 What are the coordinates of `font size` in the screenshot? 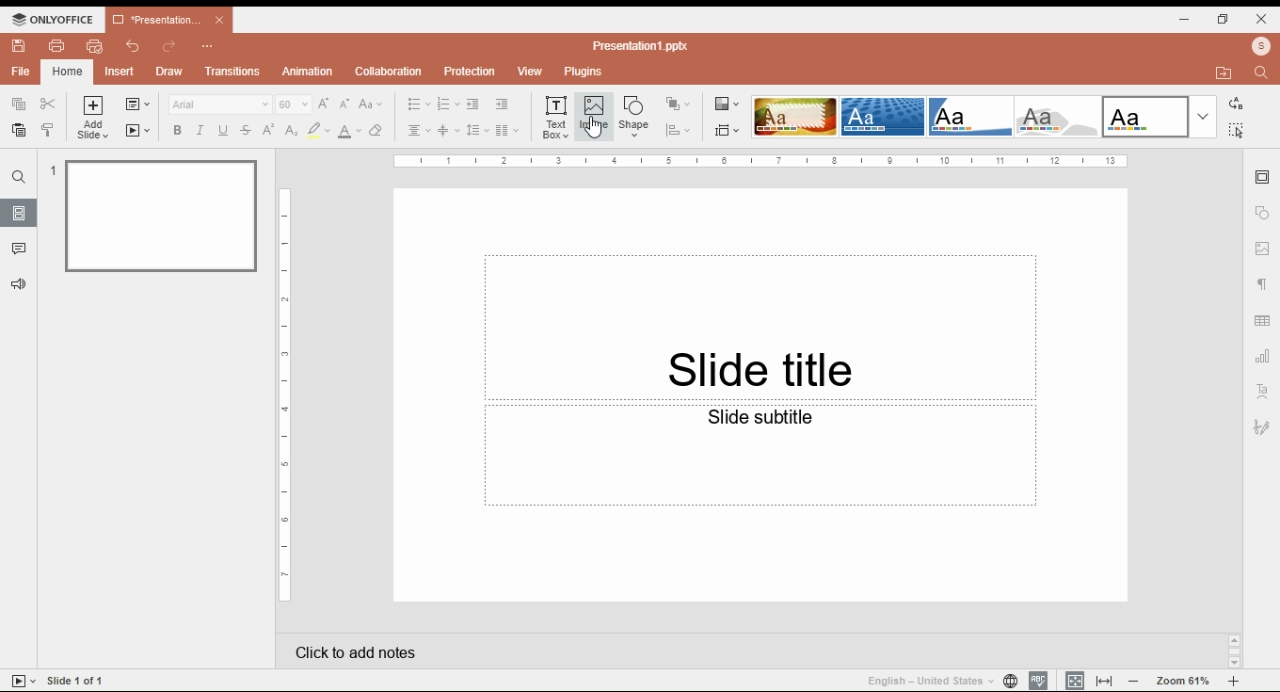 It's located at (292, 103).